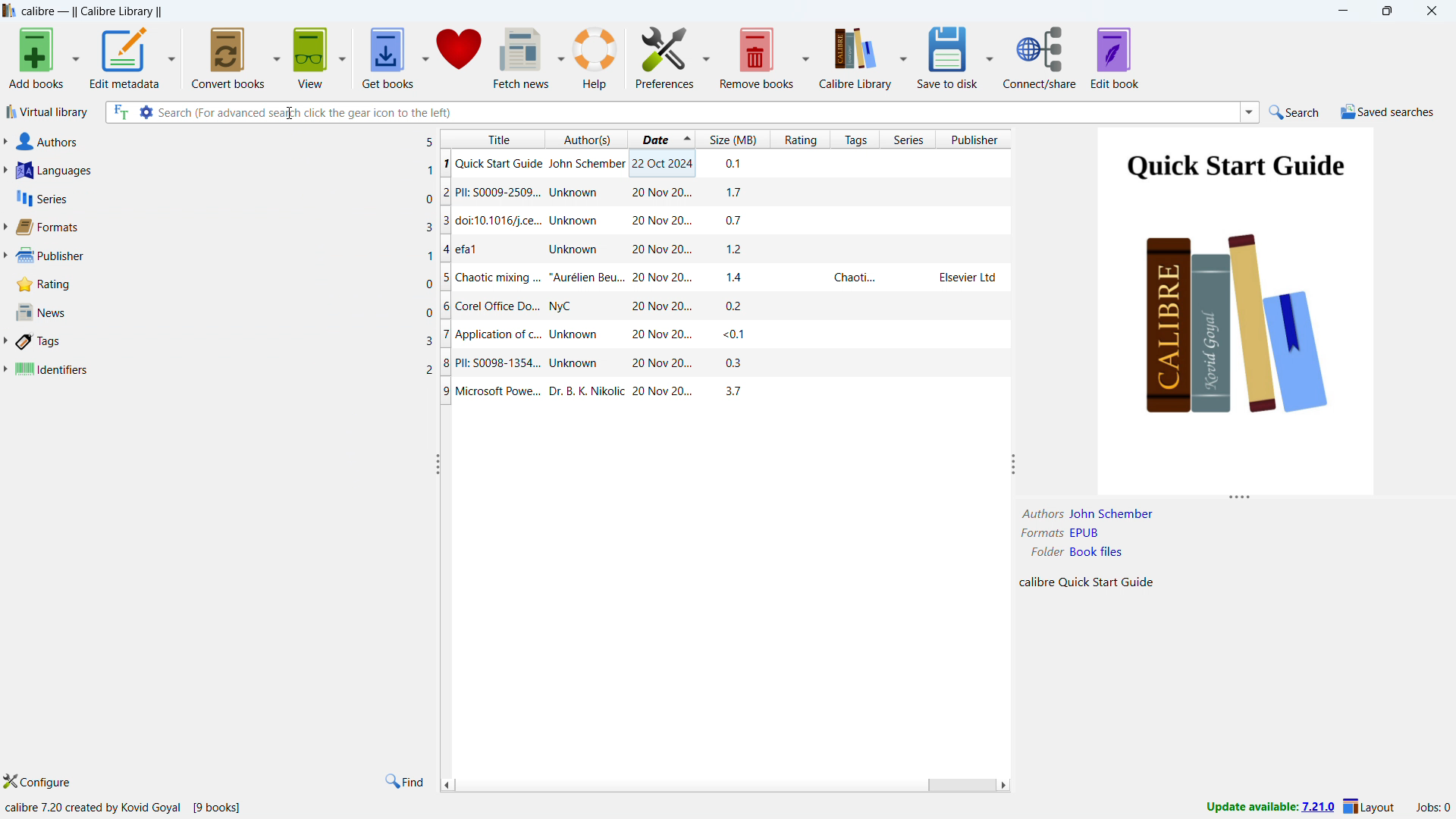  I want to click on efa1, so click(726, 249).